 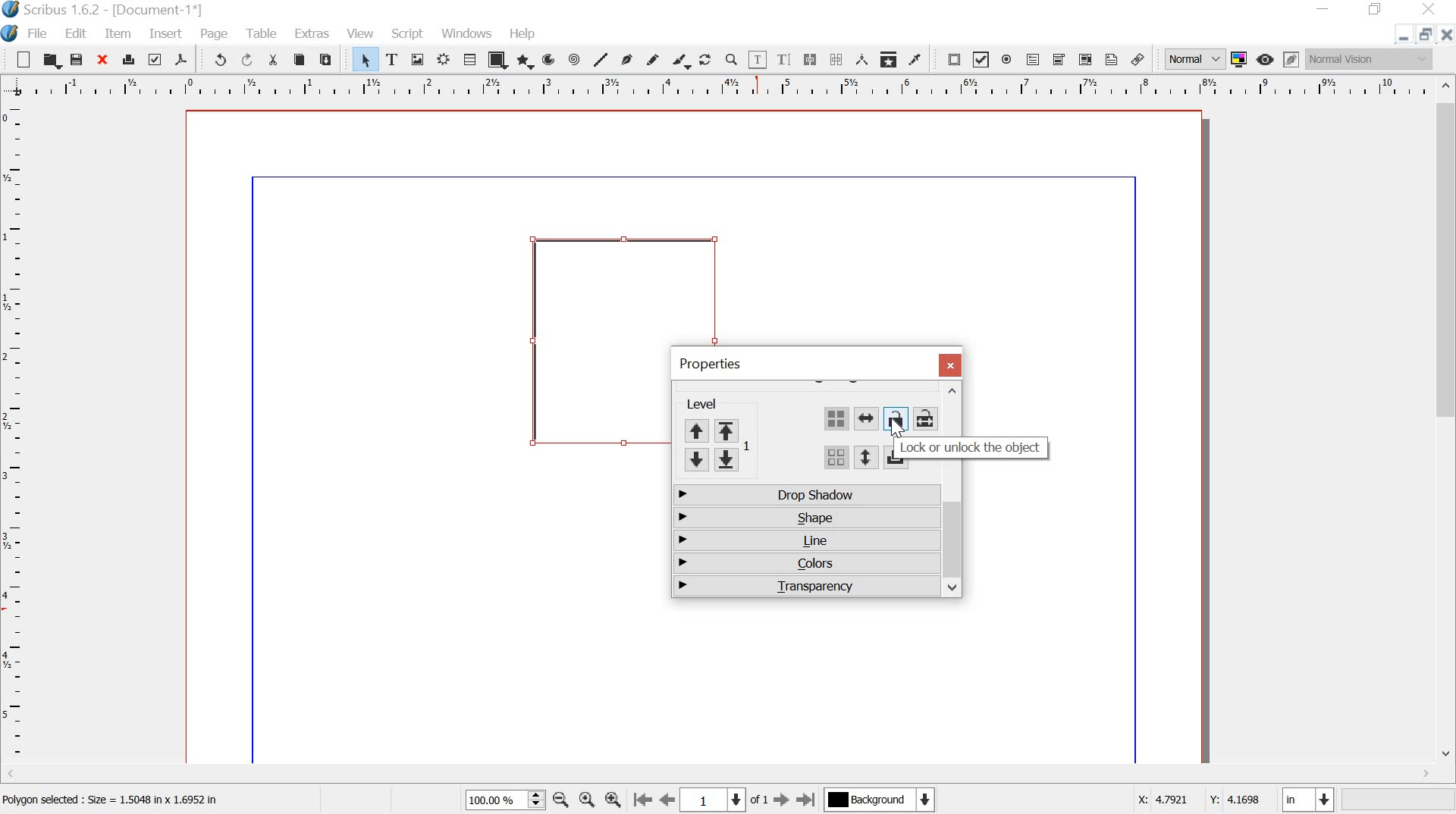 I want to click on go to next page, so click(x=783, y=800).